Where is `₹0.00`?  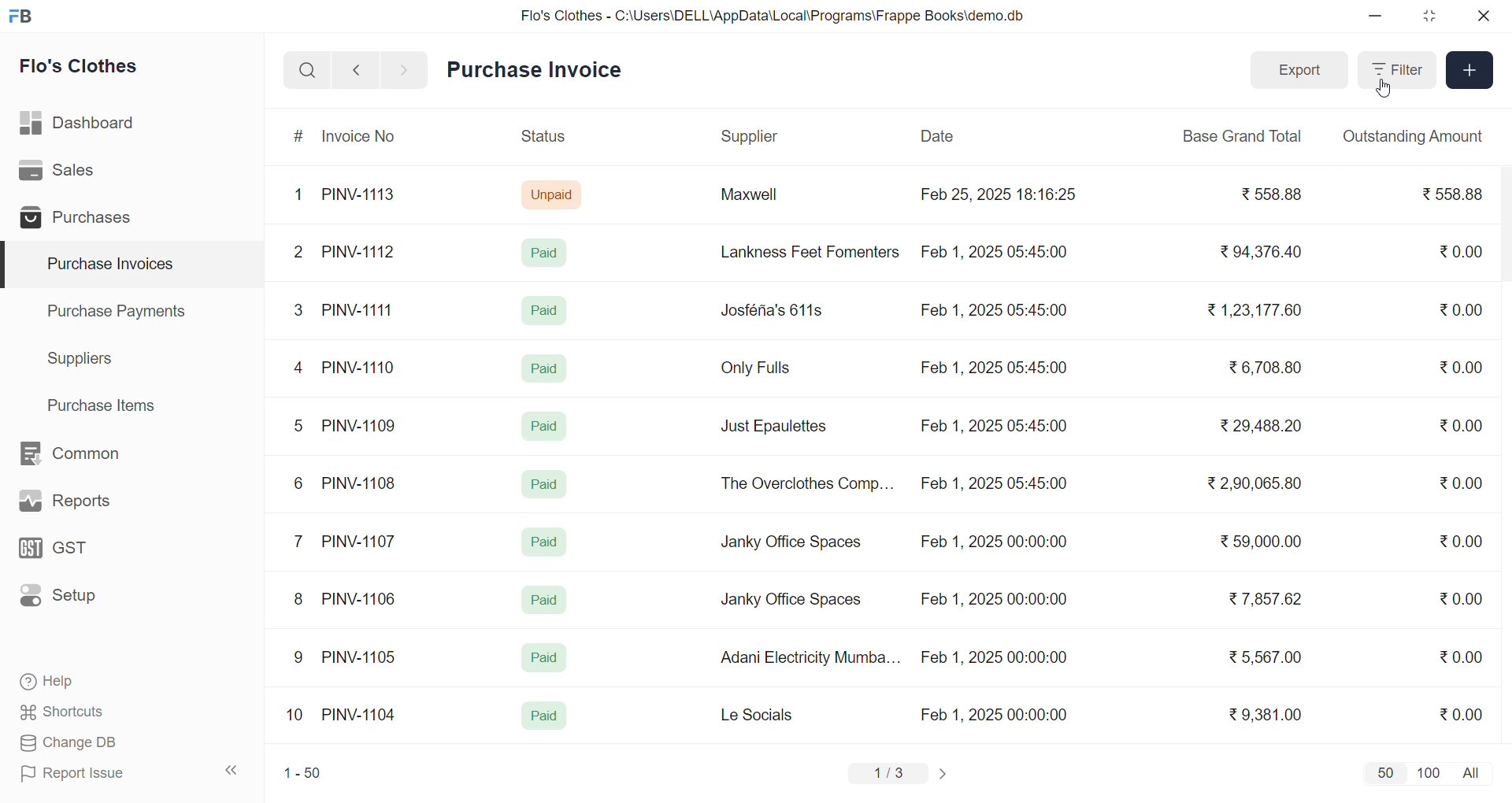 ₹0.00 is located at coordinates (1460, 485).